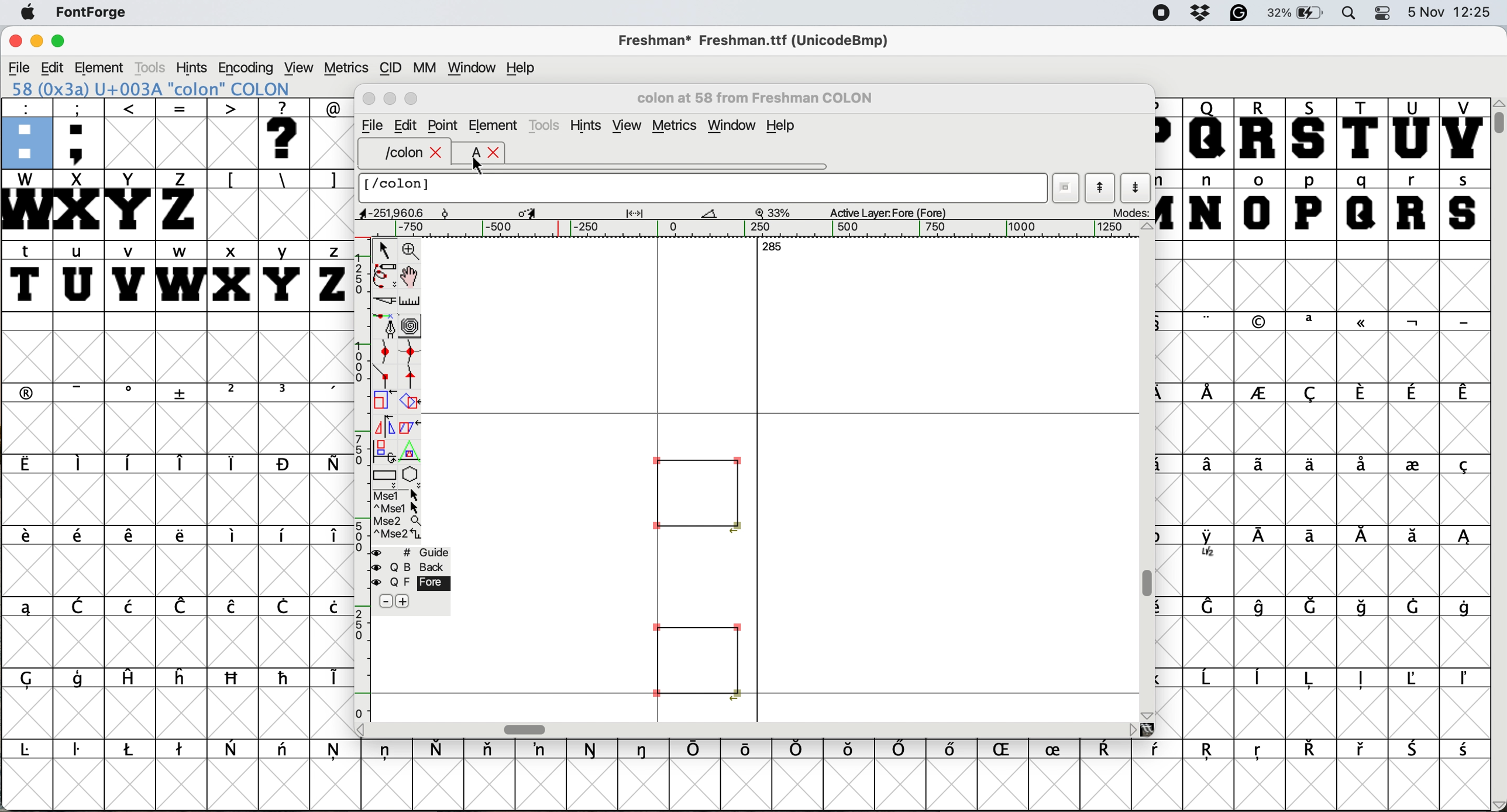  What do you see at coordinates (1462, 322) in the screenshot?
I see `symbol` at bounding box center [1462, 322].